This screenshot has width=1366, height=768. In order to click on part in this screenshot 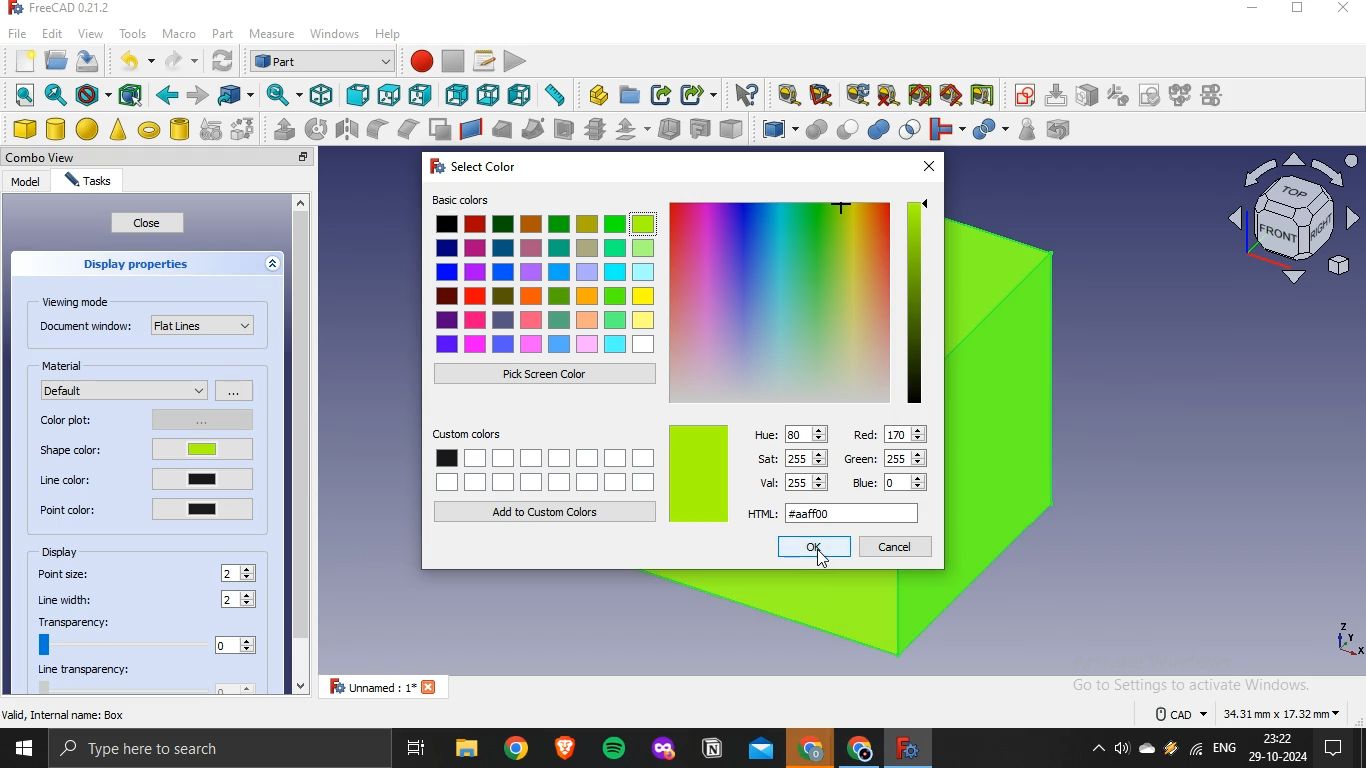, I will do `click(221, 32)`.